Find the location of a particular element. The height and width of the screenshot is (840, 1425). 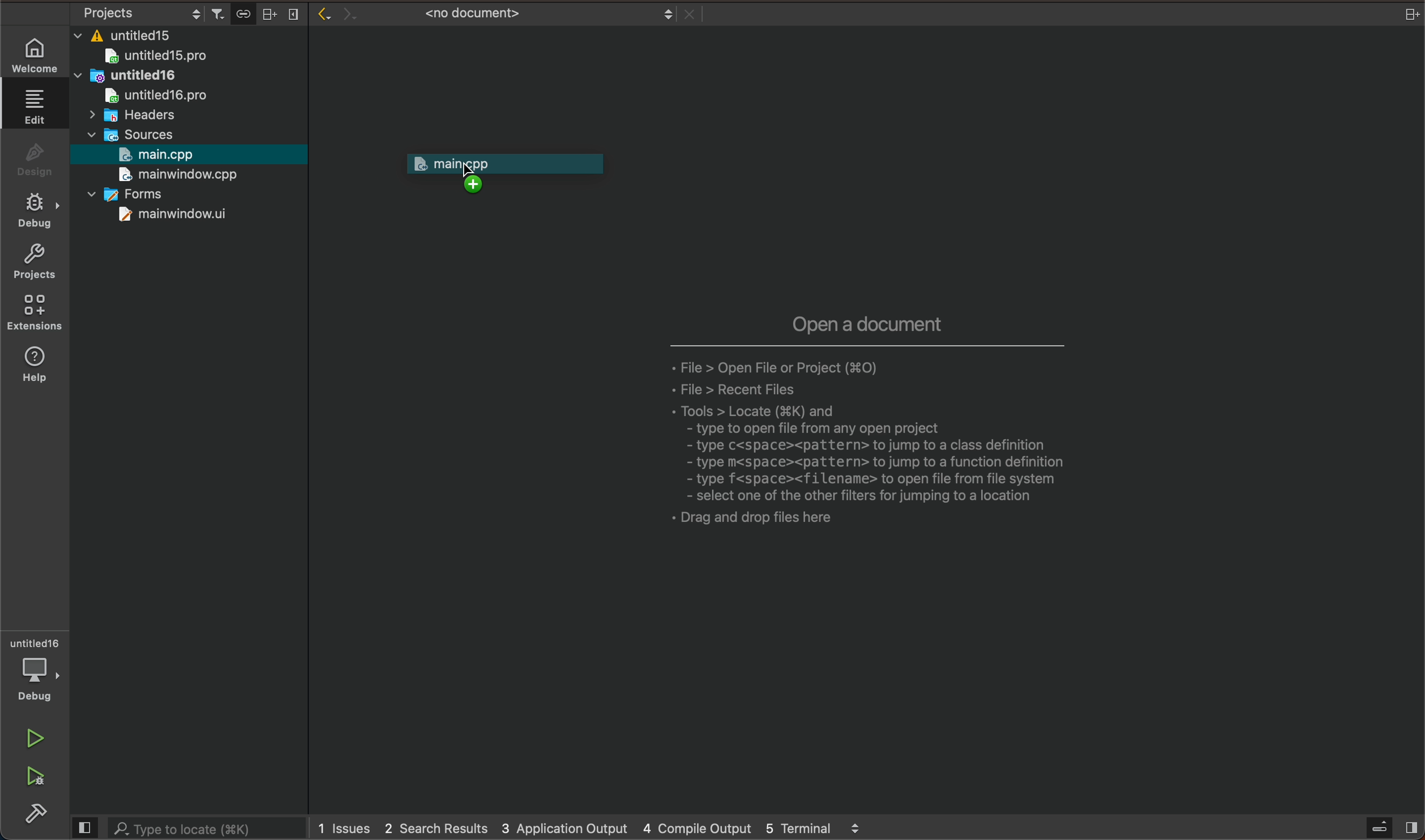

files and folders is located at coordinates (187, 37).